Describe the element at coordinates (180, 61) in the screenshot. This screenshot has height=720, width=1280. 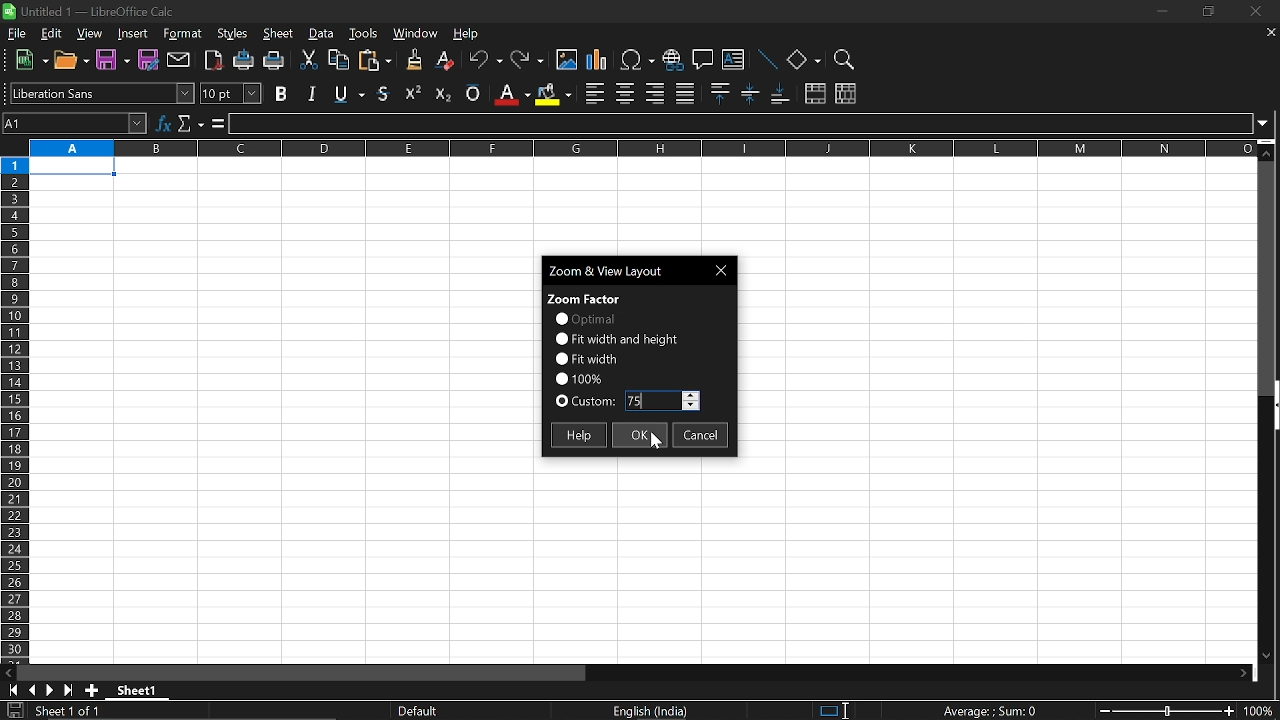
I see `attach` at that location.